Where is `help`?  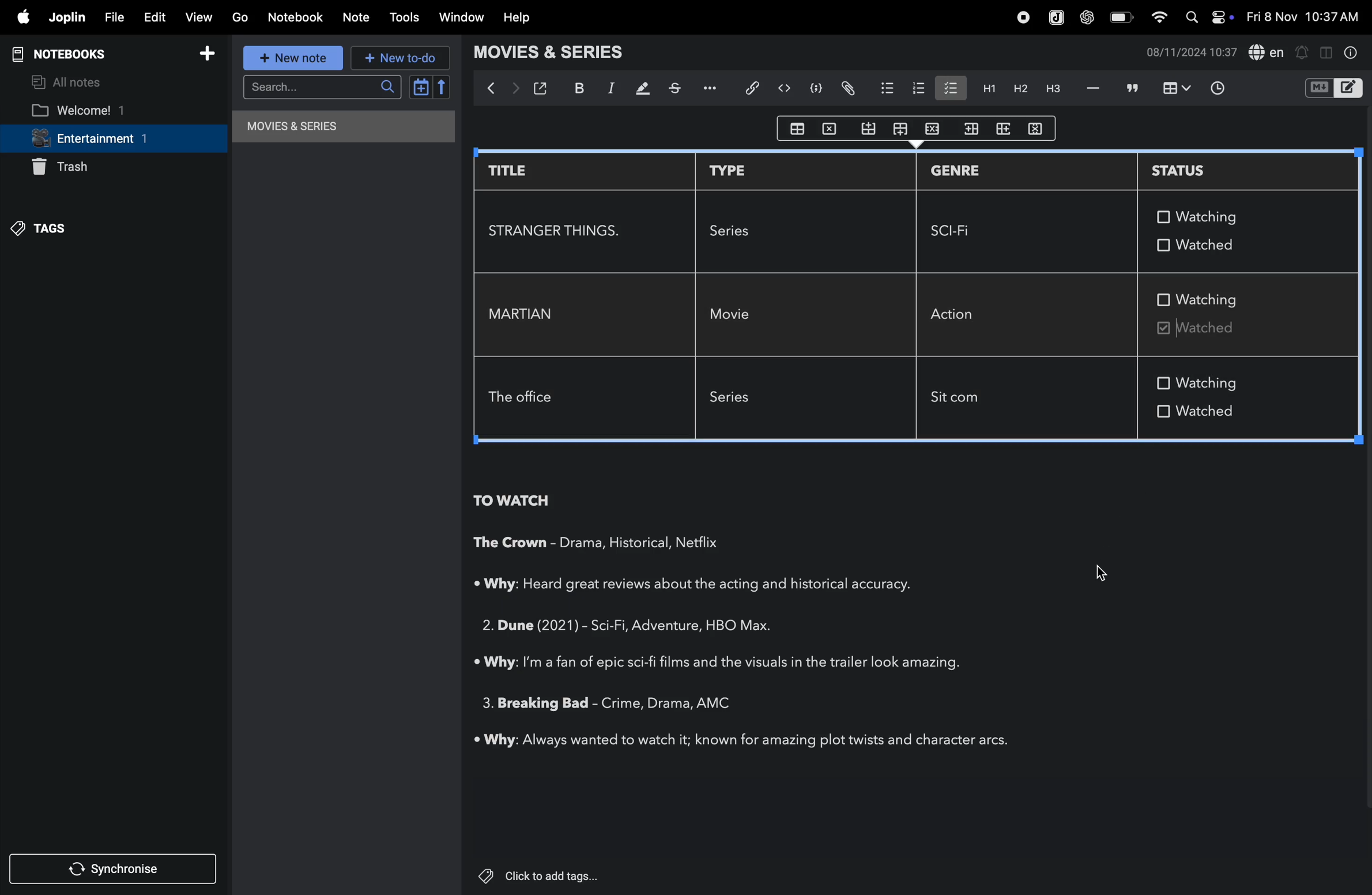 help is located at coordinates (515, 18).